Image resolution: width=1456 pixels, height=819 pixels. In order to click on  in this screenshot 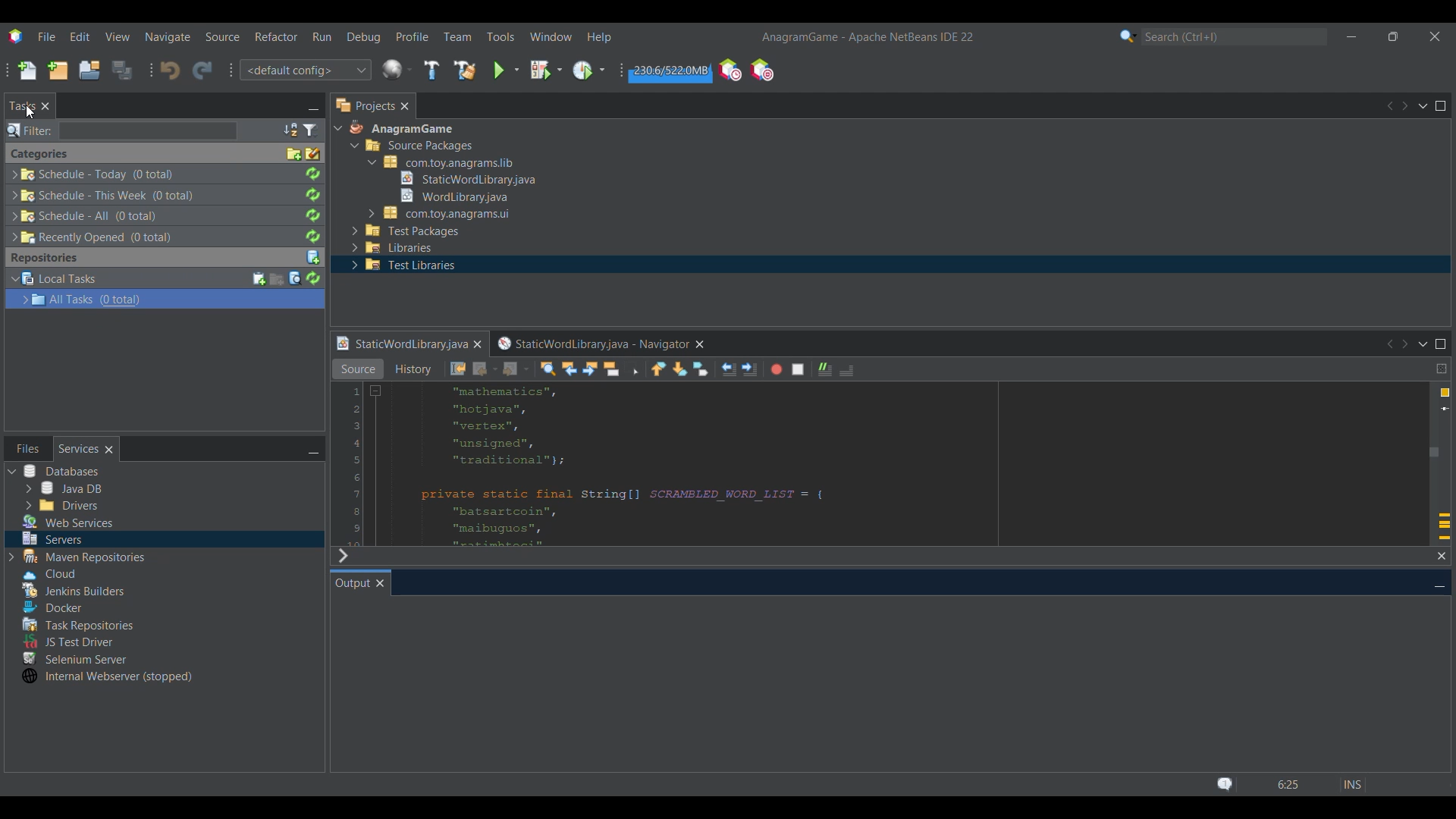, I will do `click(392, 249)`.